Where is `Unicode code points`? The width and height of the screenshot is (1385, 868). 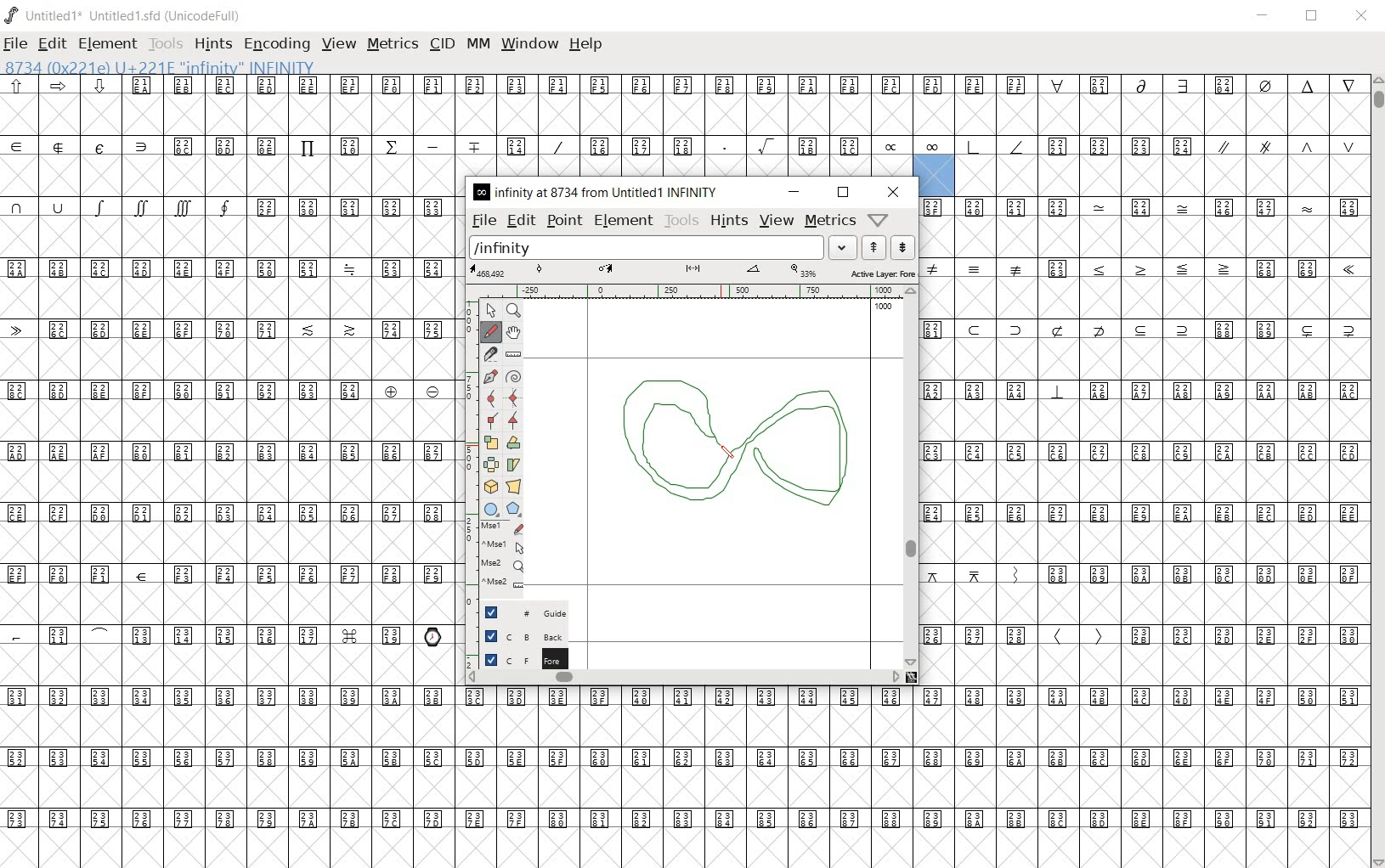
Unicode code points is located at coordinates (1062, 268).